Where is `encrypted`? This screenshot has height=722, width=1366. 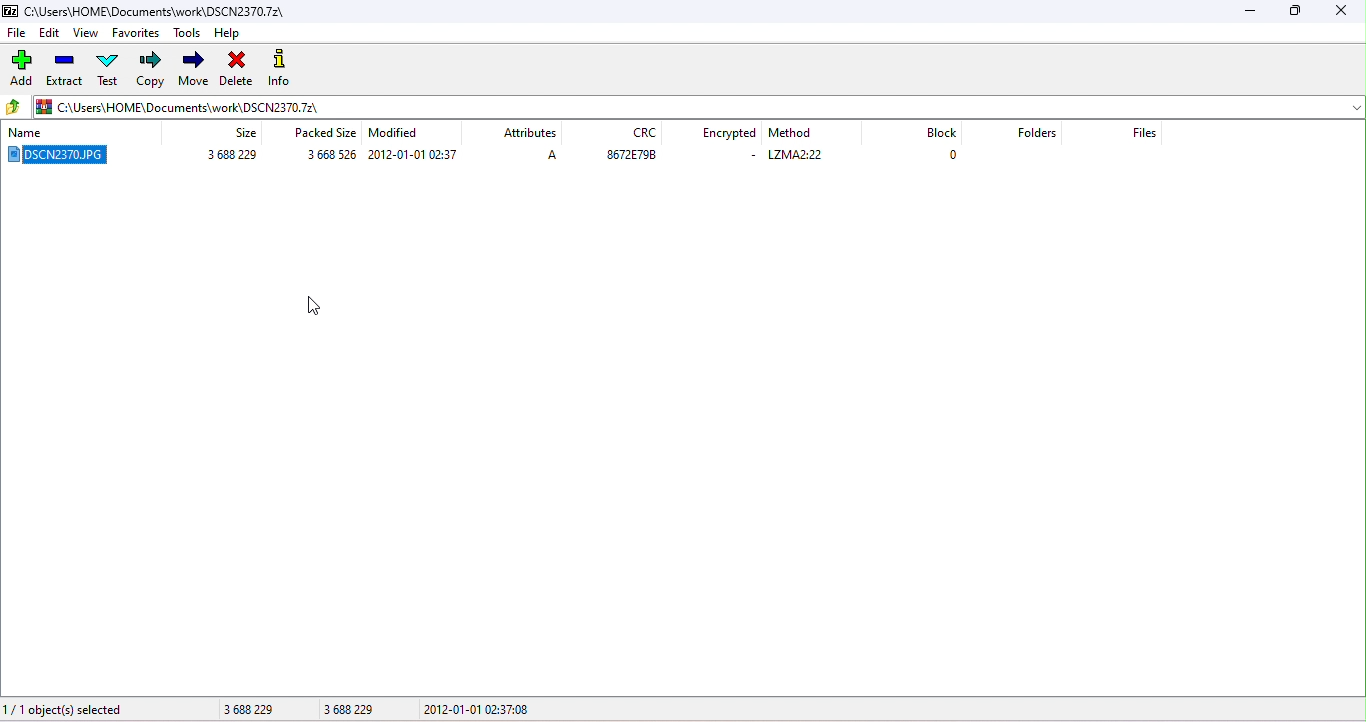 encrypted is located at coordinates (732, 135).